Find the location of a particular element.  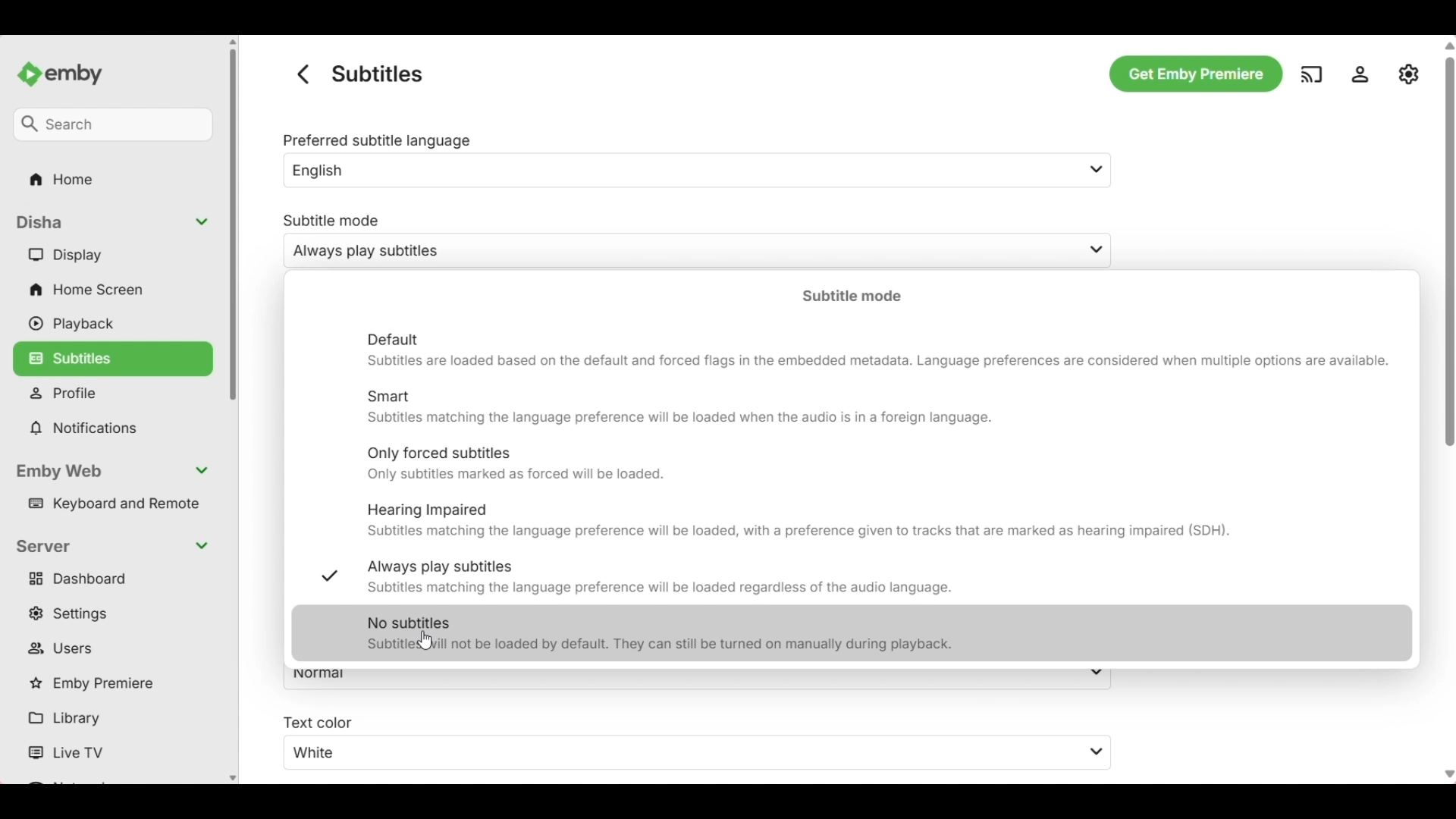

 is located at coordinates (299, 74).